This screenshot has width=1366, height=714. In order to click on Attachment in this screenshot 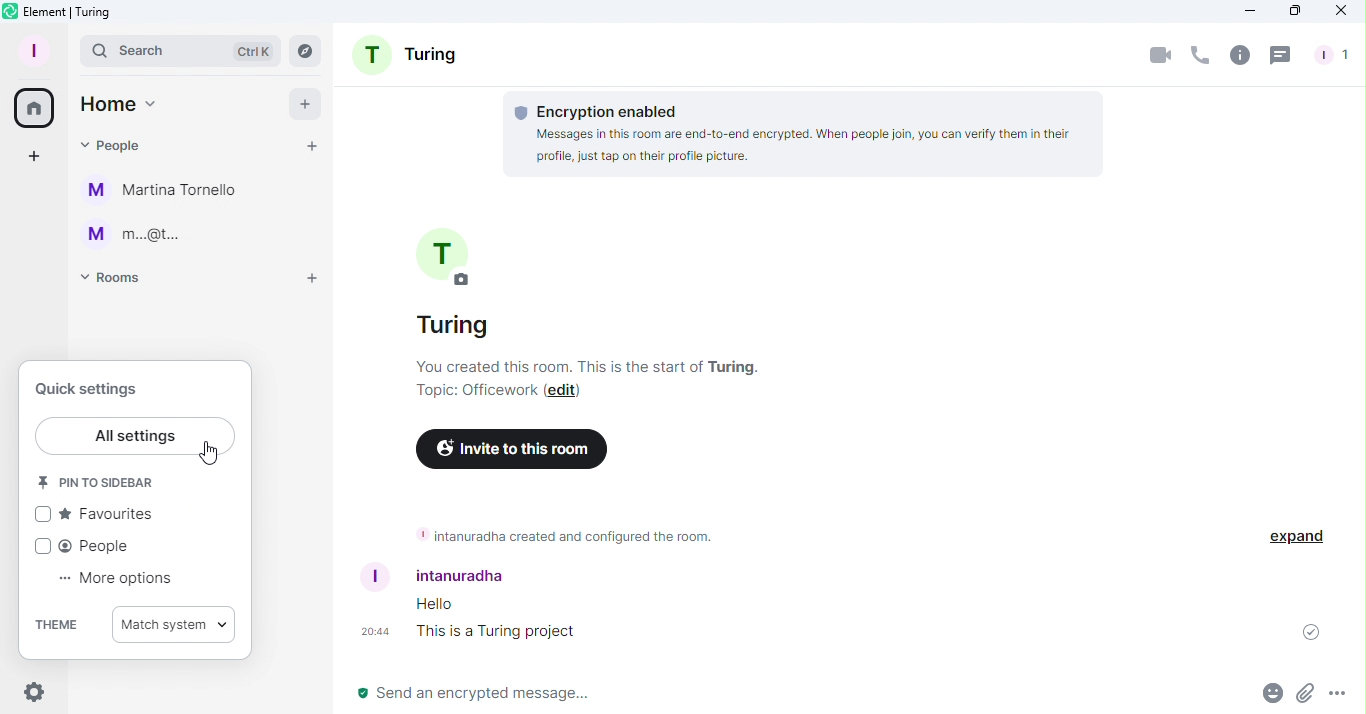, I will do `click(1307, 693)`.